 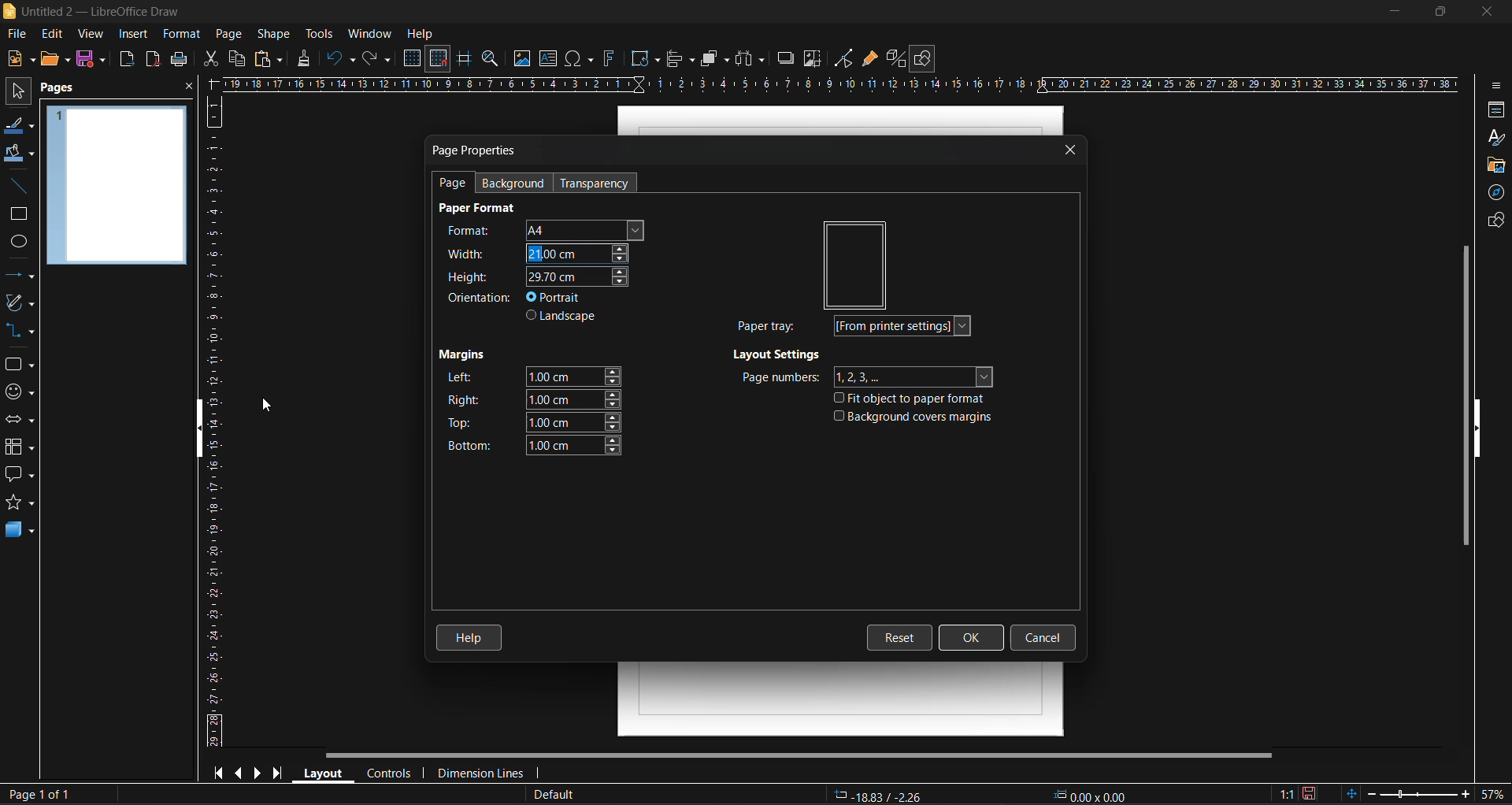 What do you see at coordinates (537, 228) in the screenshot?
I see `format` at bounding box center [537, 228].